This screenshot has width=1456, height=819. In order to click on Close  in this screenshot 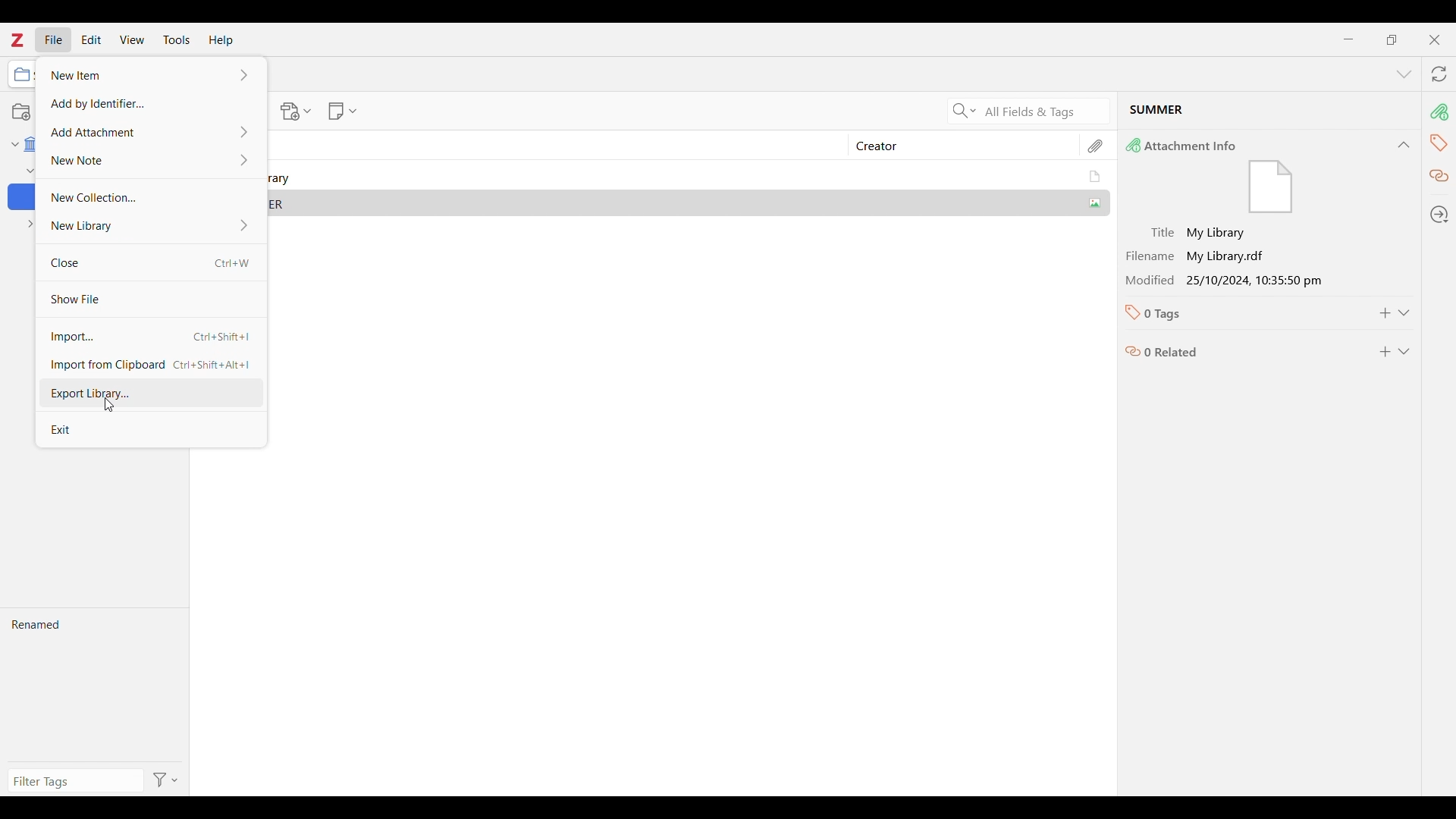, I will do `click(1435, 40)`.